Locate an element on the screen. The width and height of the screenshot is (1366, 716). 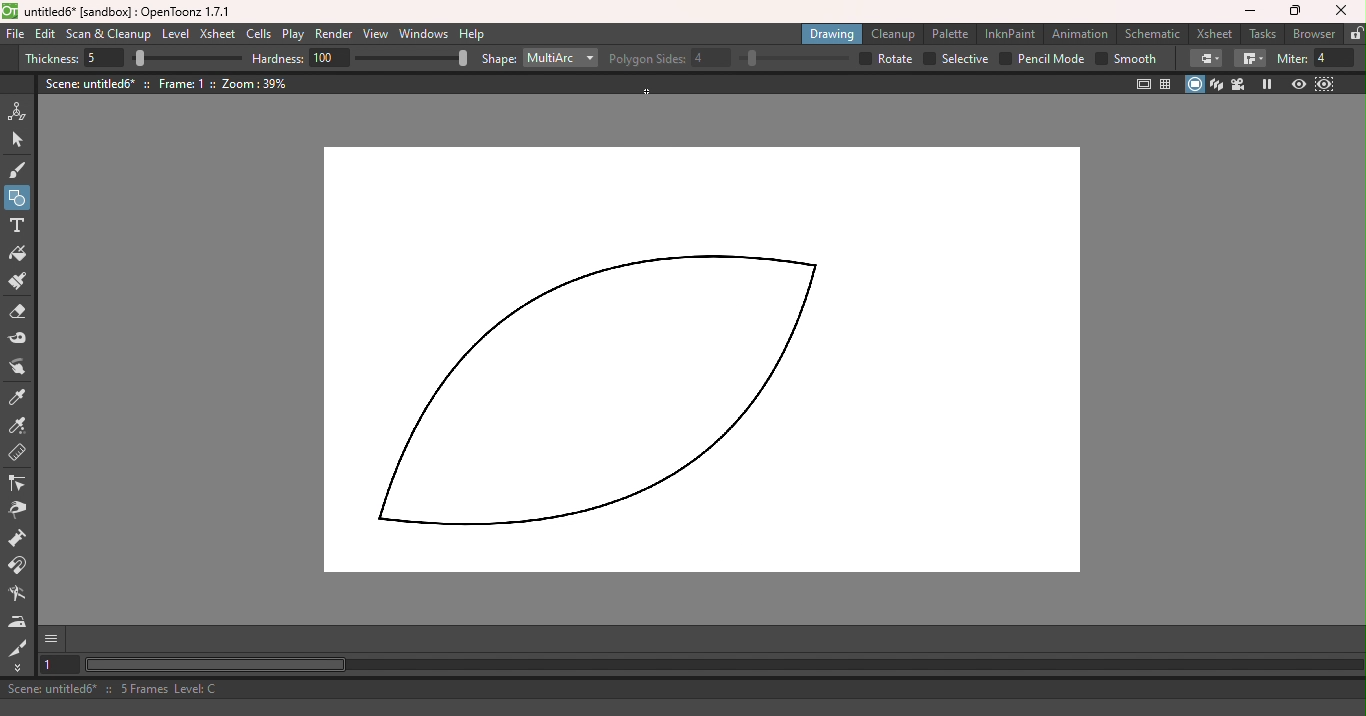
Shape is located at coordinates (497, 60).